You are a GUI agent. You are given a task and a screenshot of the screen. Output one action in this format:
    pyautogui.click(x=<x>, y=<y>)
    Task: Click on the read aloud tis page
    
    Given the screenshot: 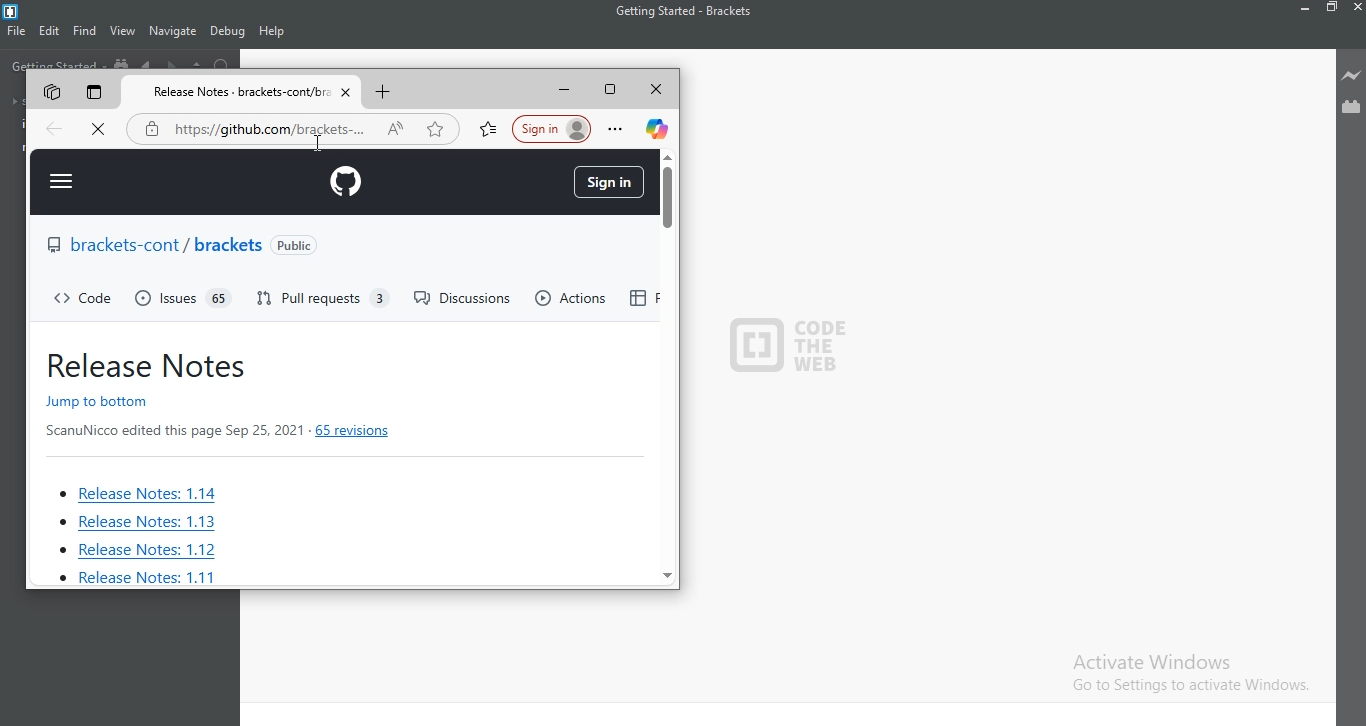 What is the action you would take?
    pyautogui.click(x=397, y=130)
    